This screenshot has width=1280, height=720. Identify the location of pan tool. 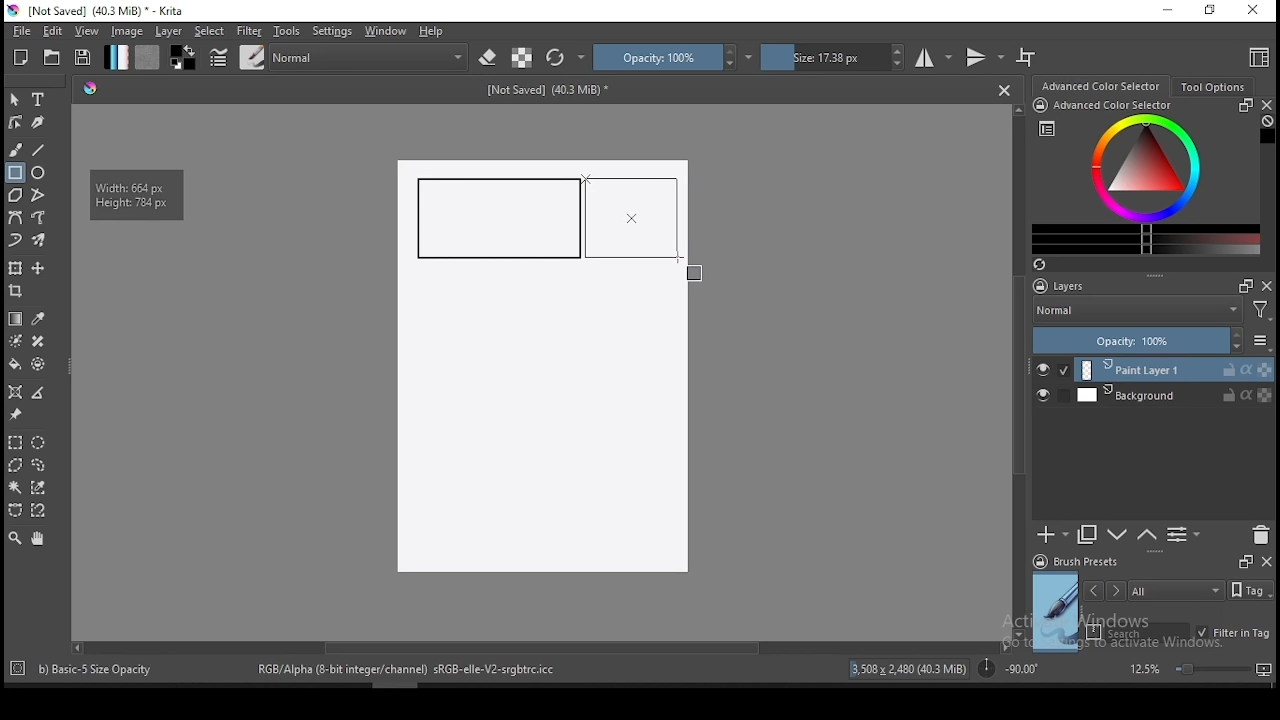
(36, 539).